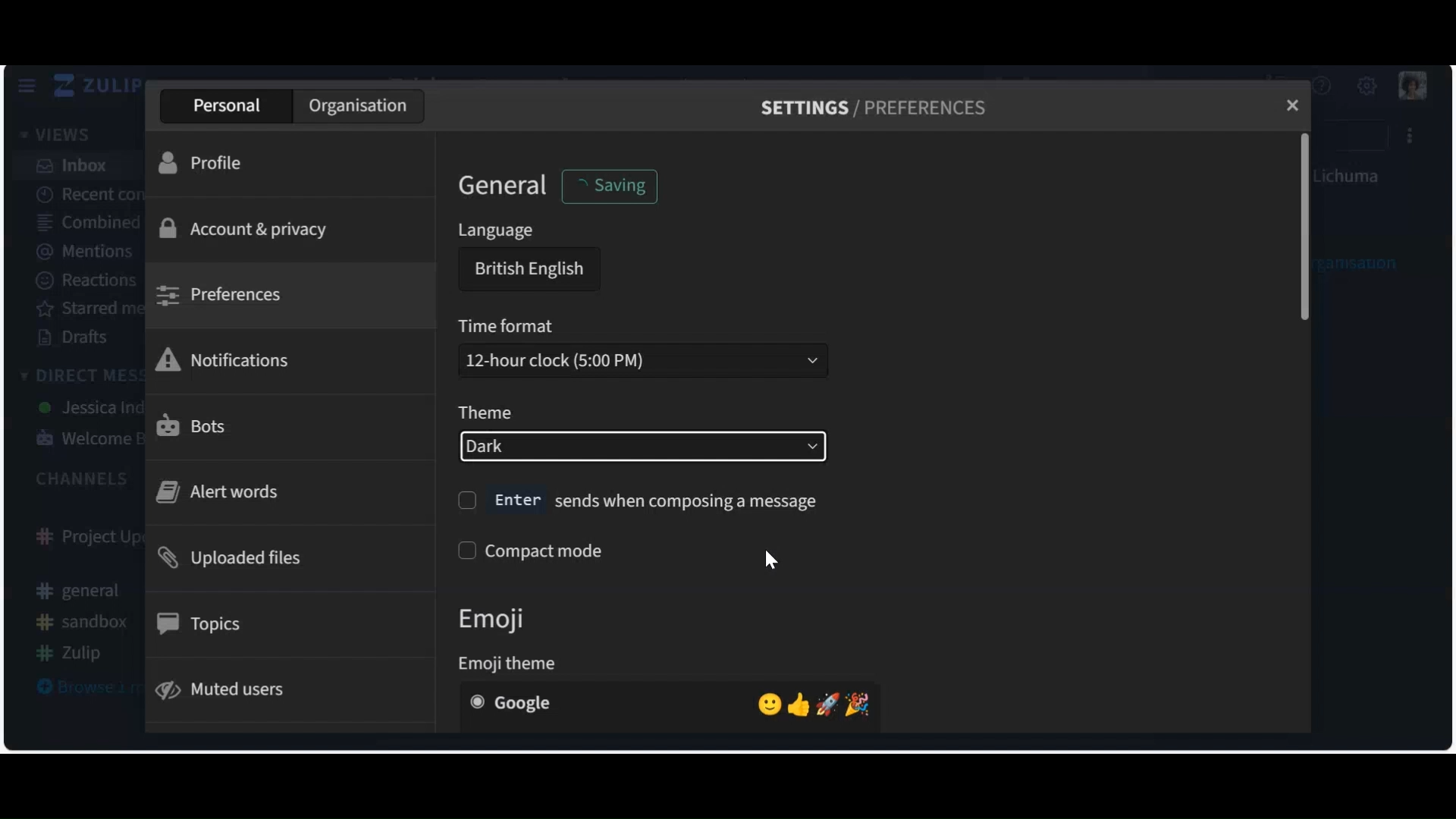  Describe the element at coordinates (509, 327) in the screenshot. I see `Time Format` at that location.